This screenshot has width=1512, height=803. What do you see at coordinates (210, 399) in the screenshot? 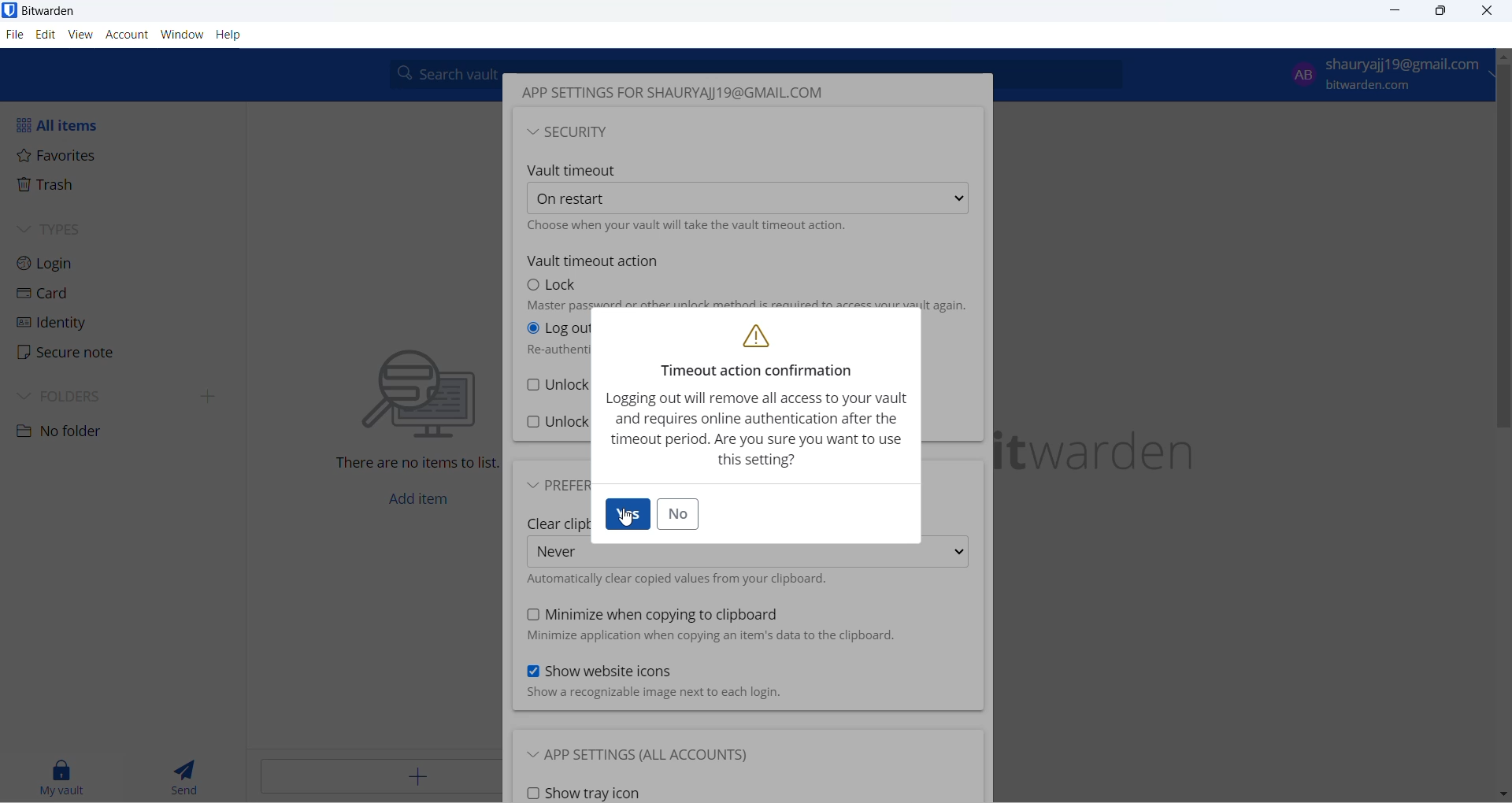
I see `expand folders side bar` at bounding box center [210, 399].